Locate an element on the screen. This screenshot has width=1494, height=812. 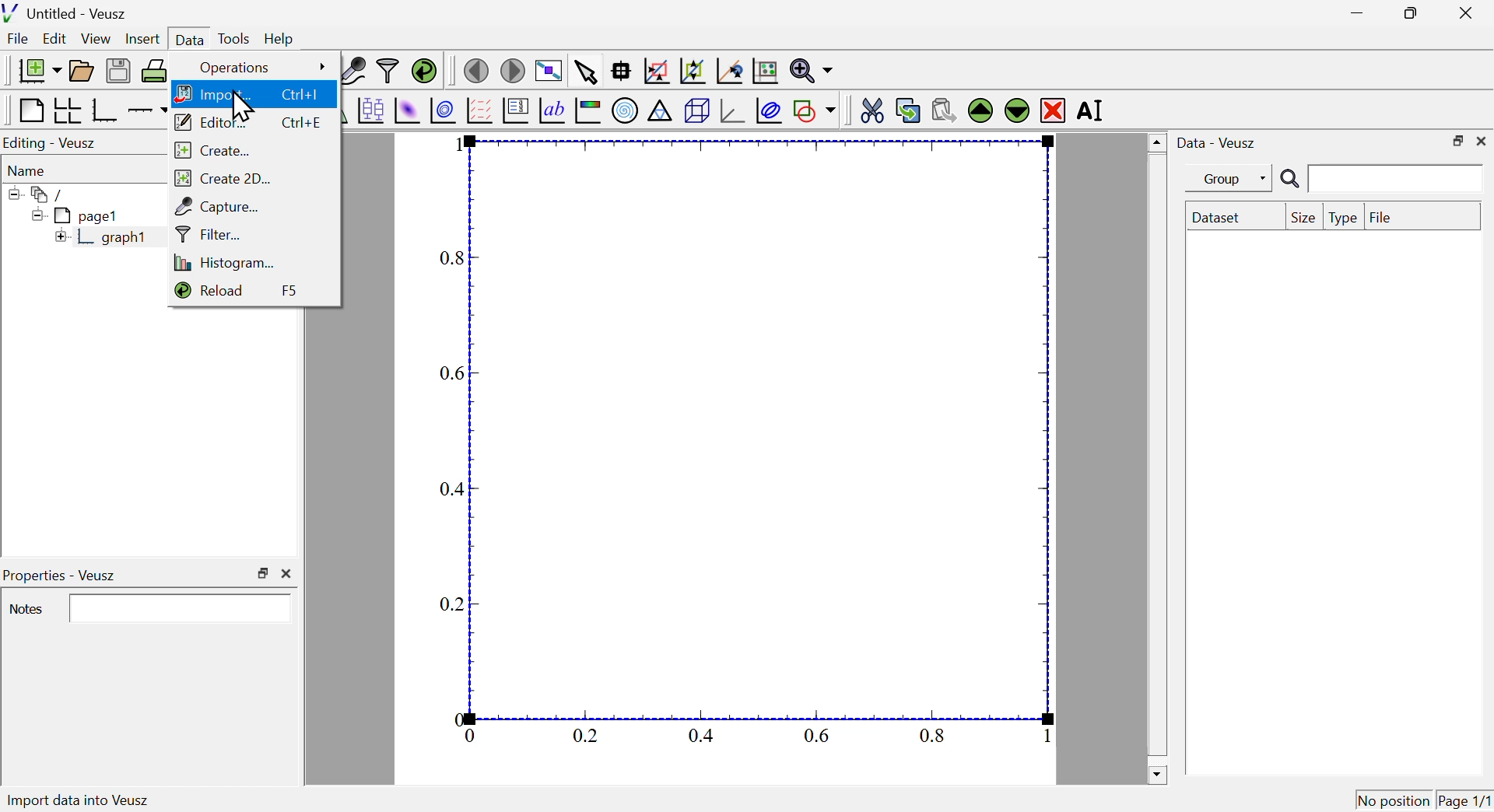
file is located at coordinates (1381, 215).